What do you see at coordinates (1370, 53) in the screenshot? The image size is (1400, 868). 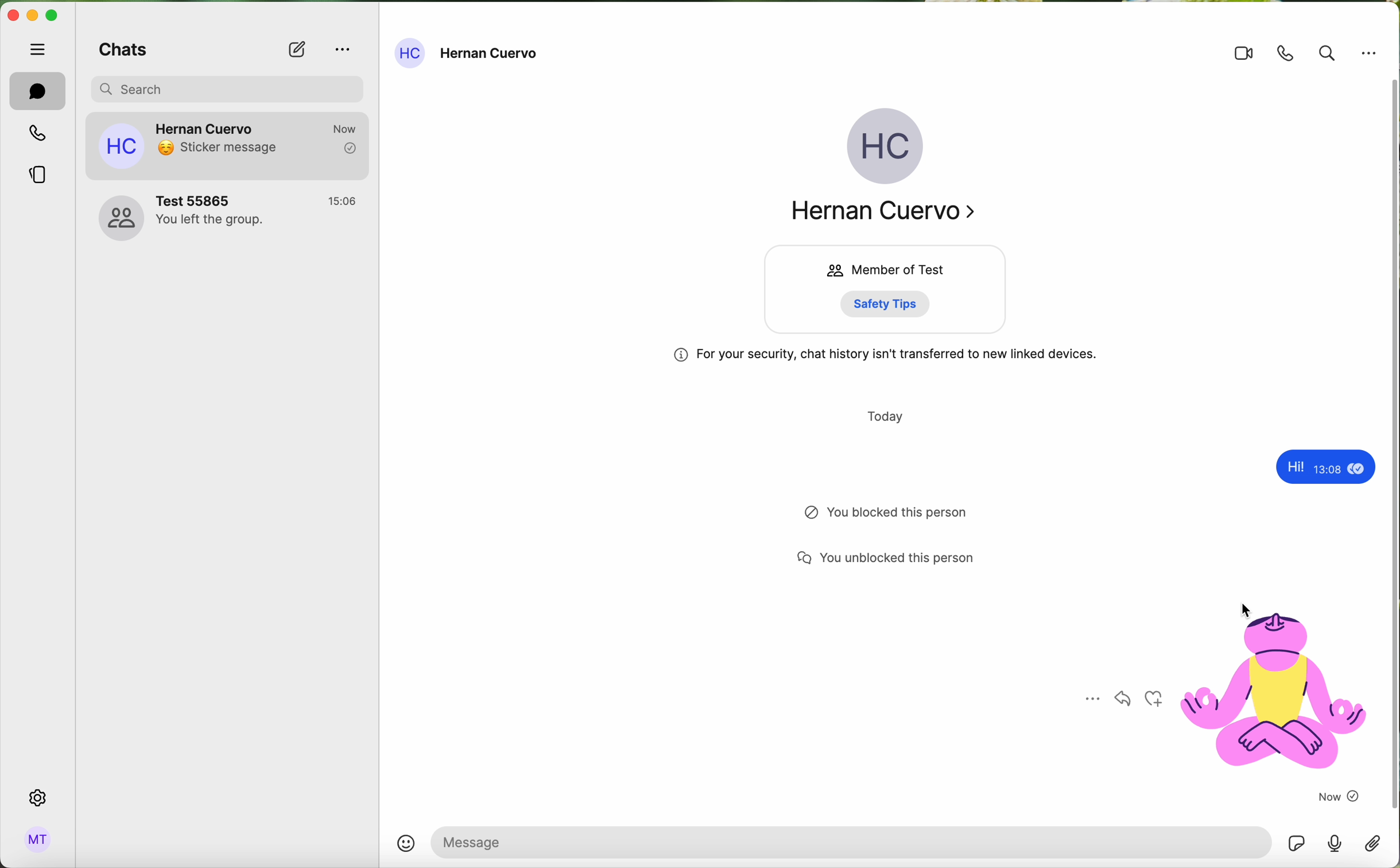 I see `options` at bounding box center [1370, 53].